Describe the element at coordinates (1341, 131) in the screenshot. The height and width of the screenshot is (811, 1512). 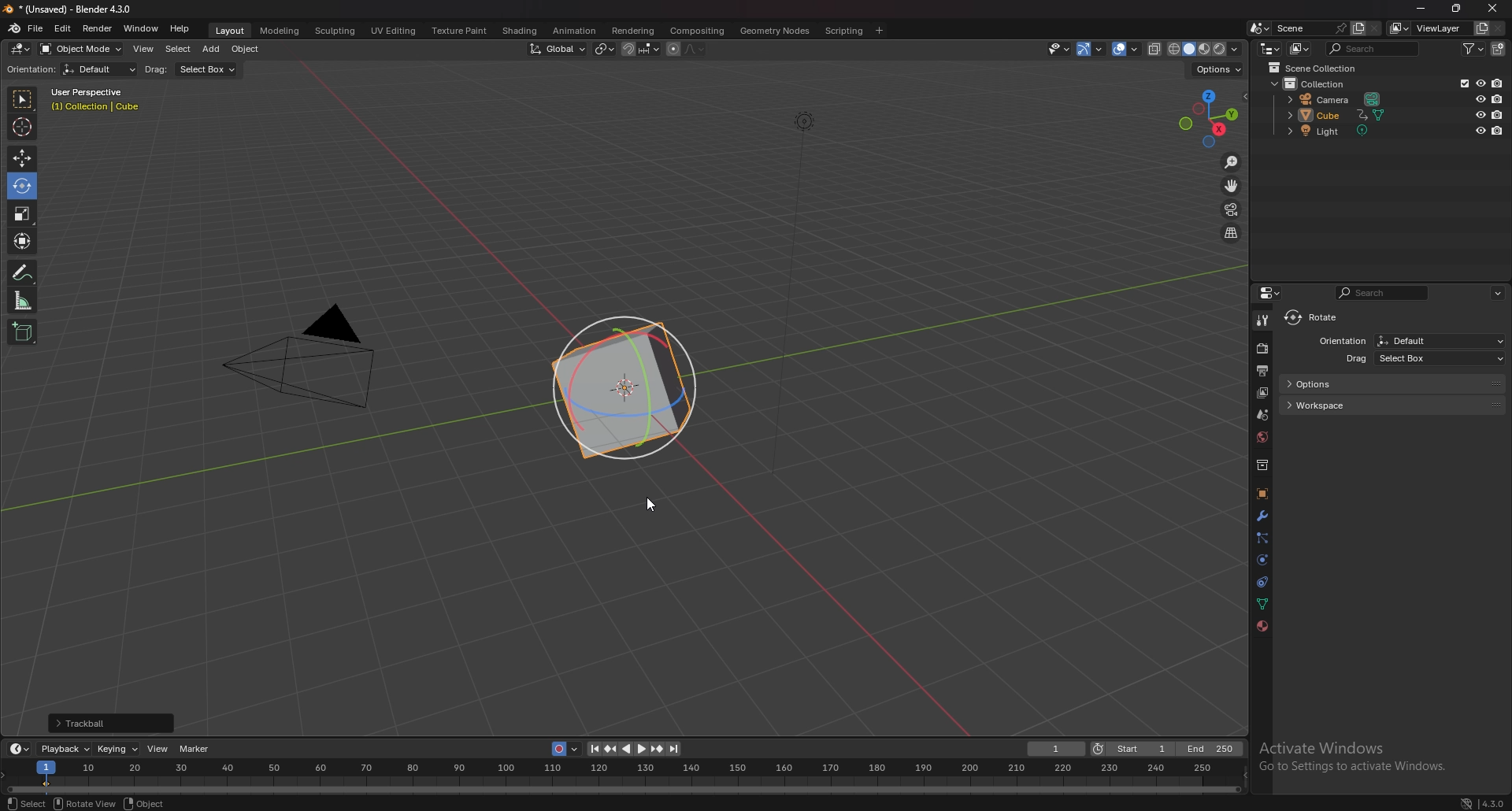
I see `light` at that location.